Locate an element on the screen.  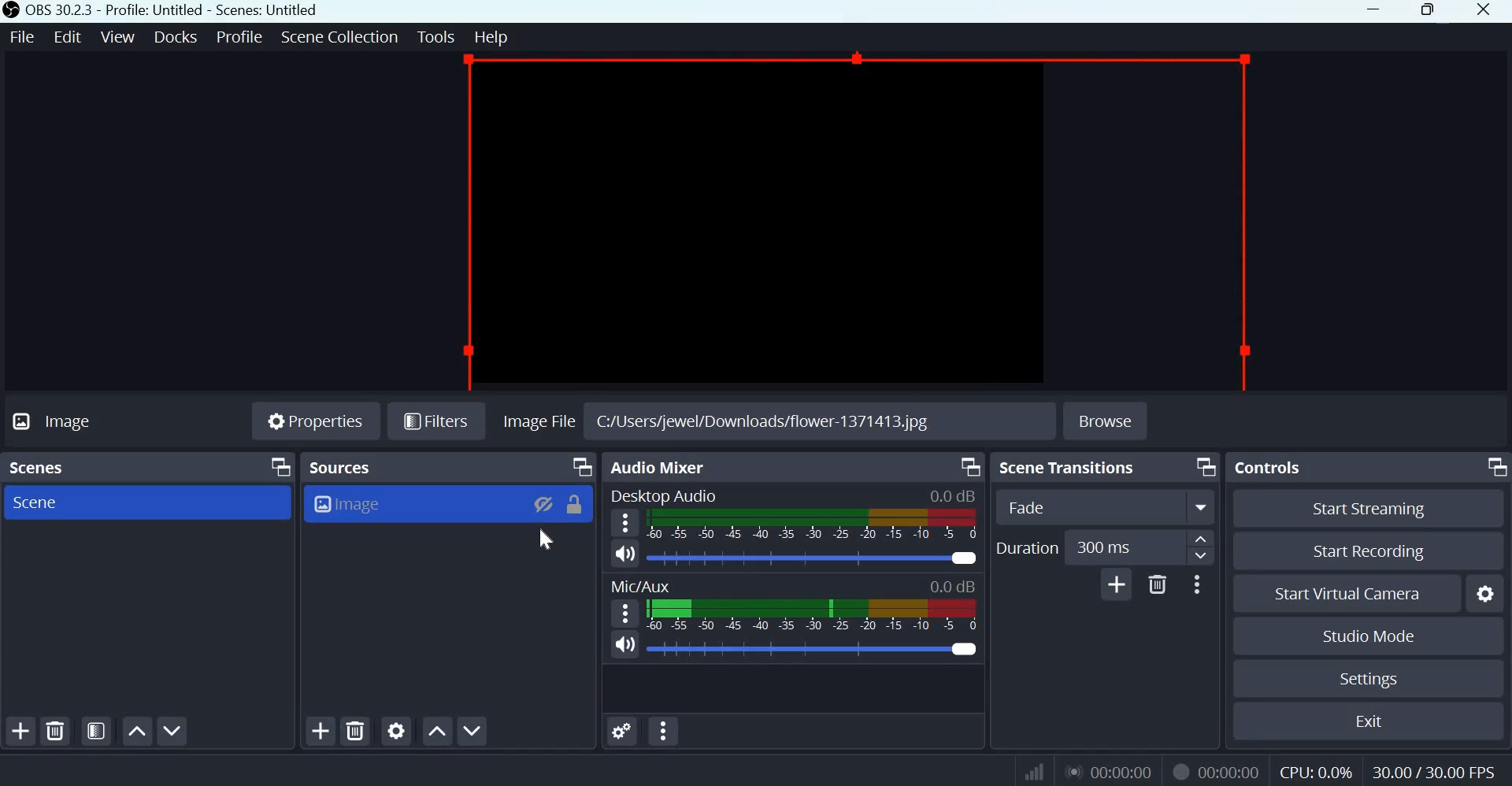
Image is located at coordinates (53, 421).